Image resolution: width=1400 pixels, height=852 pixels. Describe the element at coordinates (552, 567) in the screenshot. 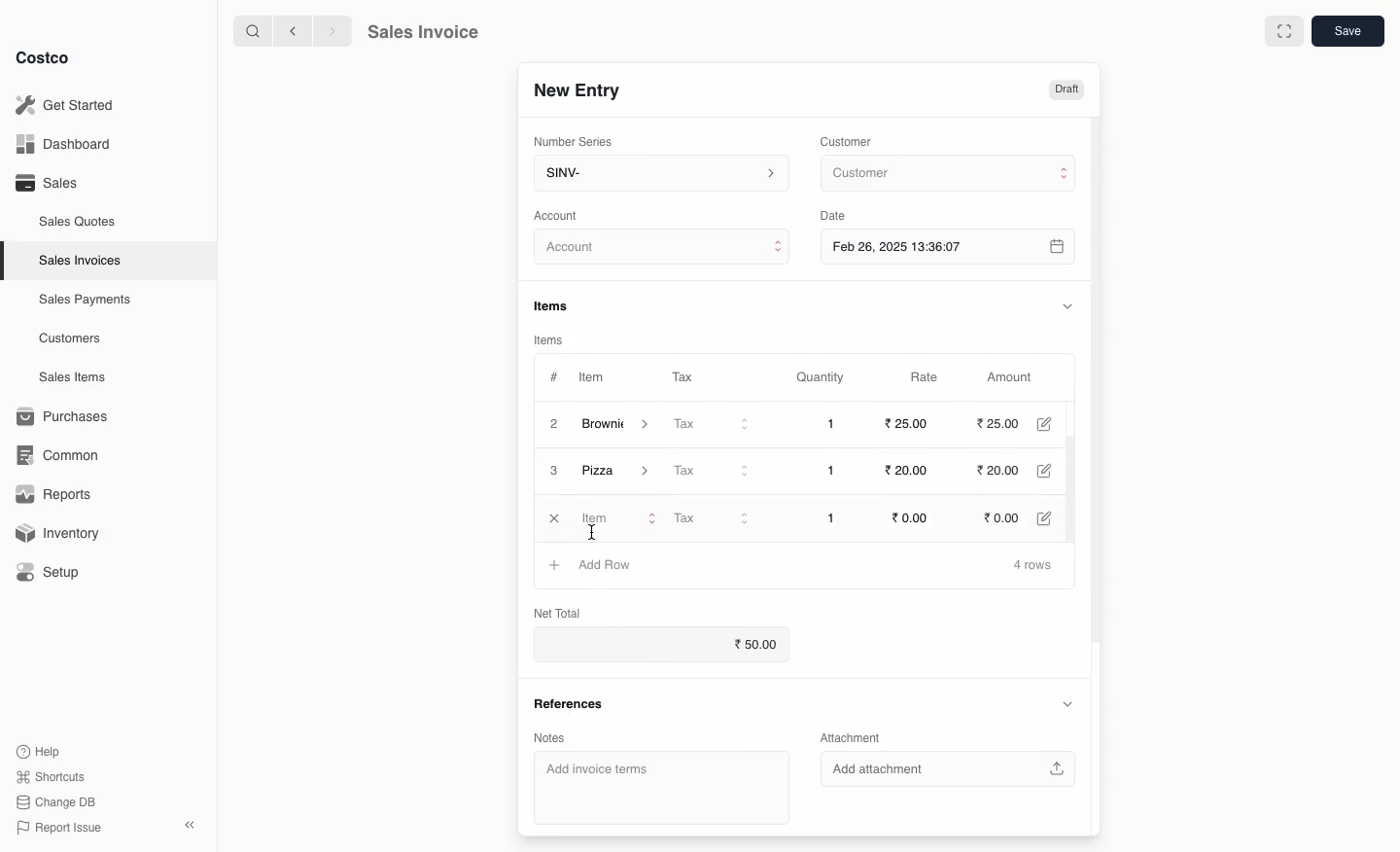

I see `Add` at that location.